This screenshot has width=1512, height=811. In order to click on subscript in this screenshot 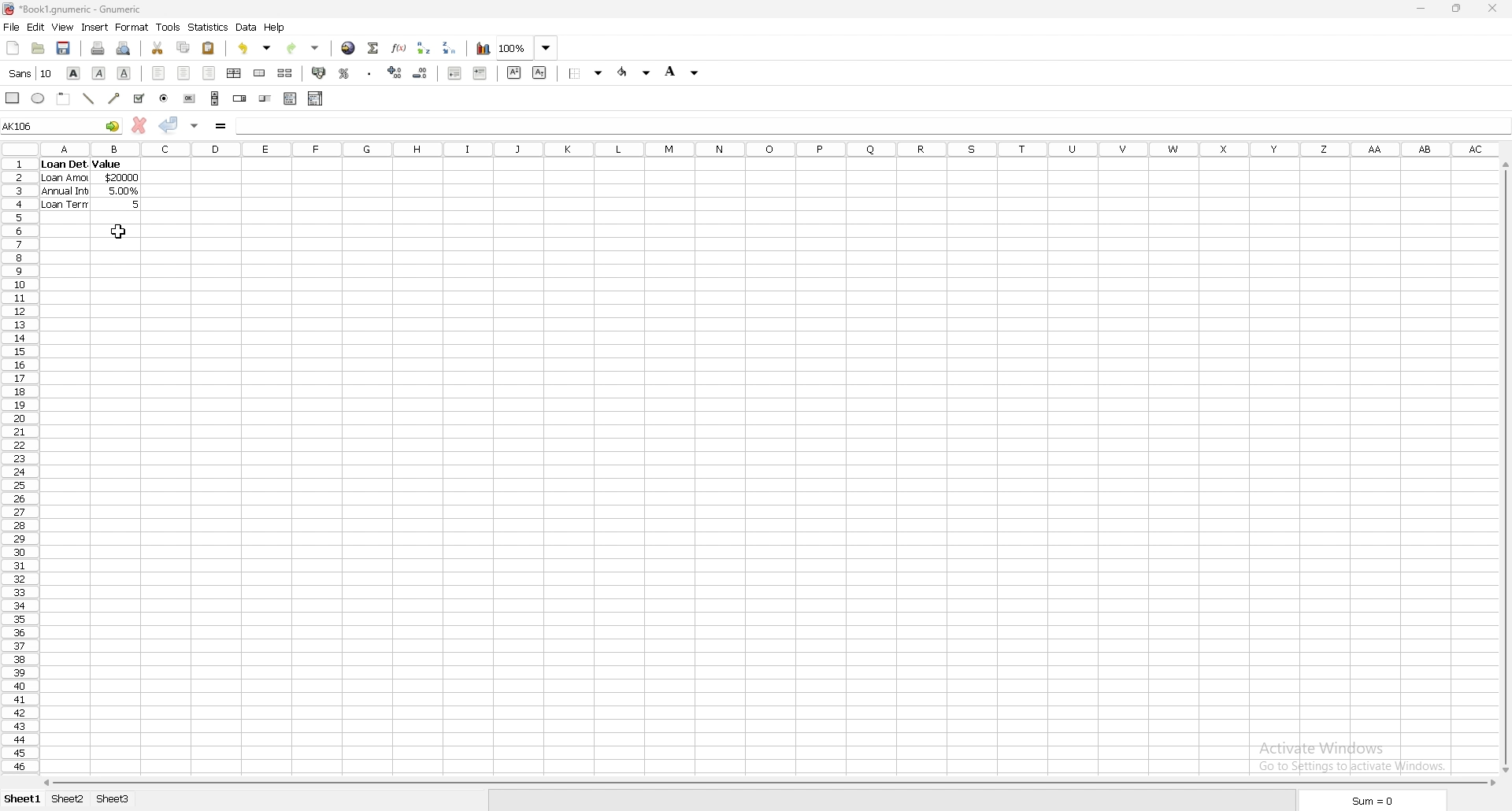, I will do `click(539, 72)`.